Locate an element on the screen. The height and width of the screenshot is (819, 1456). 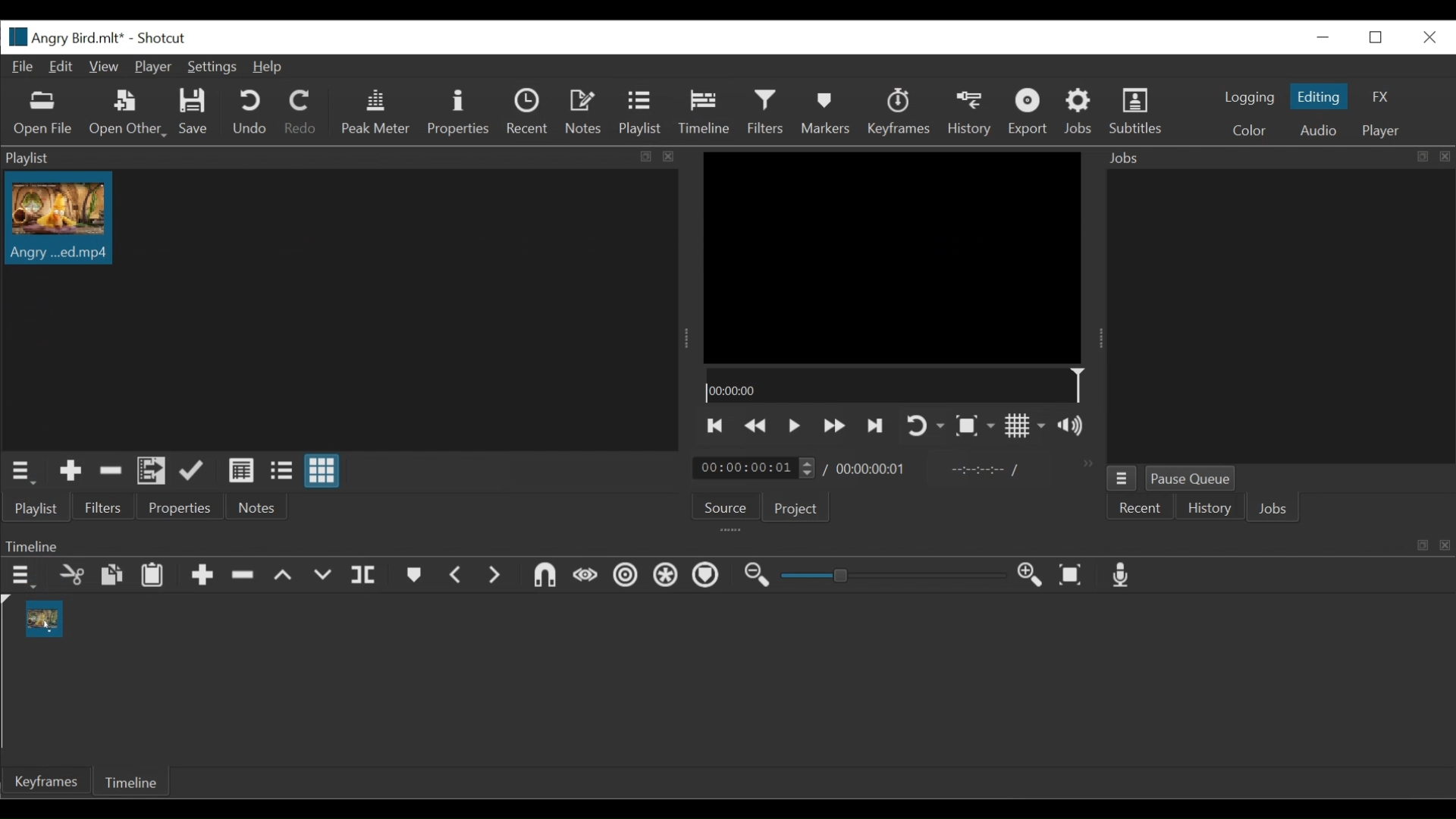
History is located at coordinates (1209, 507).